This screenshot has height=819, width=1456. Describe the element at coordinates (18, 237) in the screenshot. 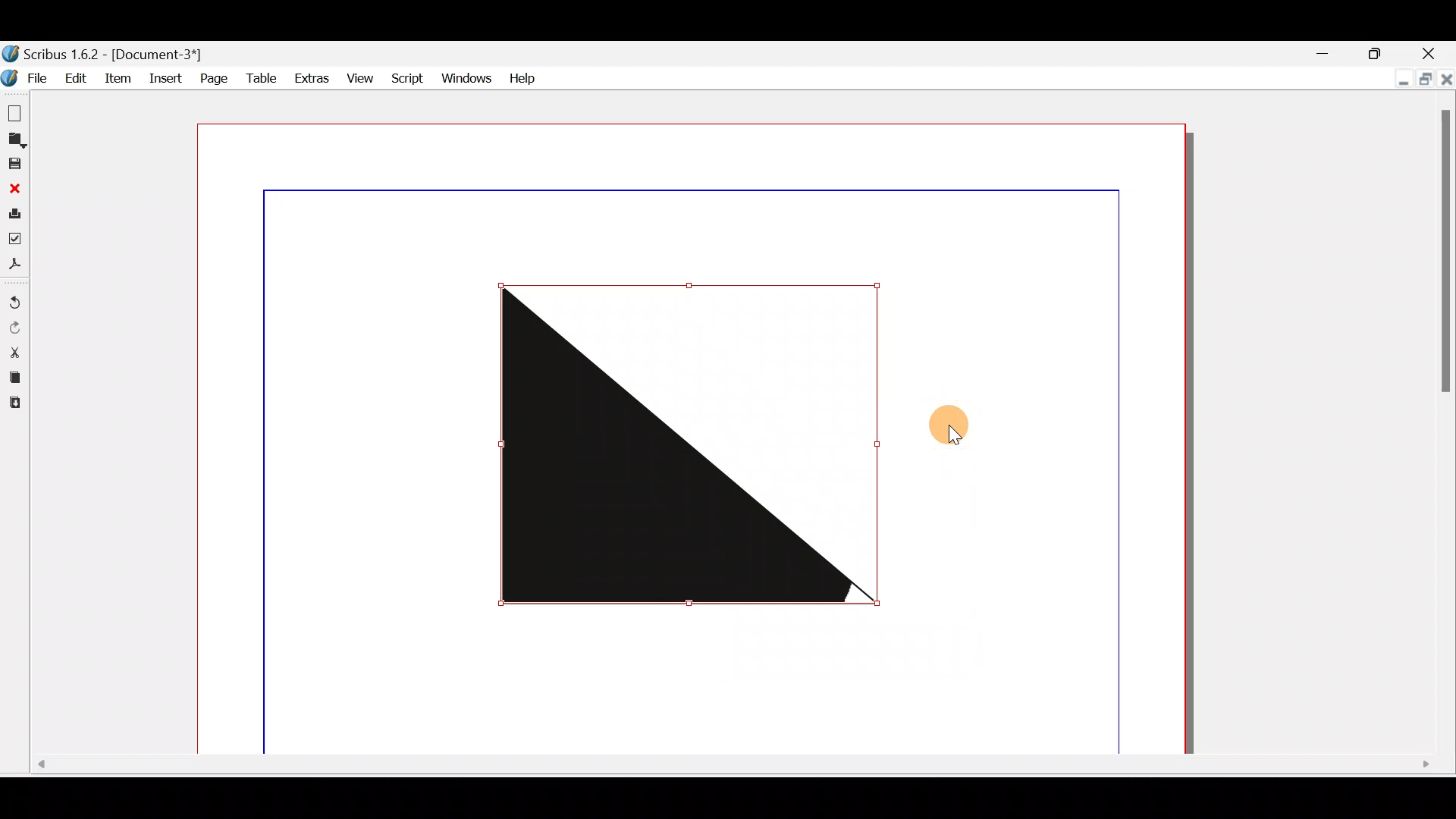

I see `Preflight verifier` at that location.